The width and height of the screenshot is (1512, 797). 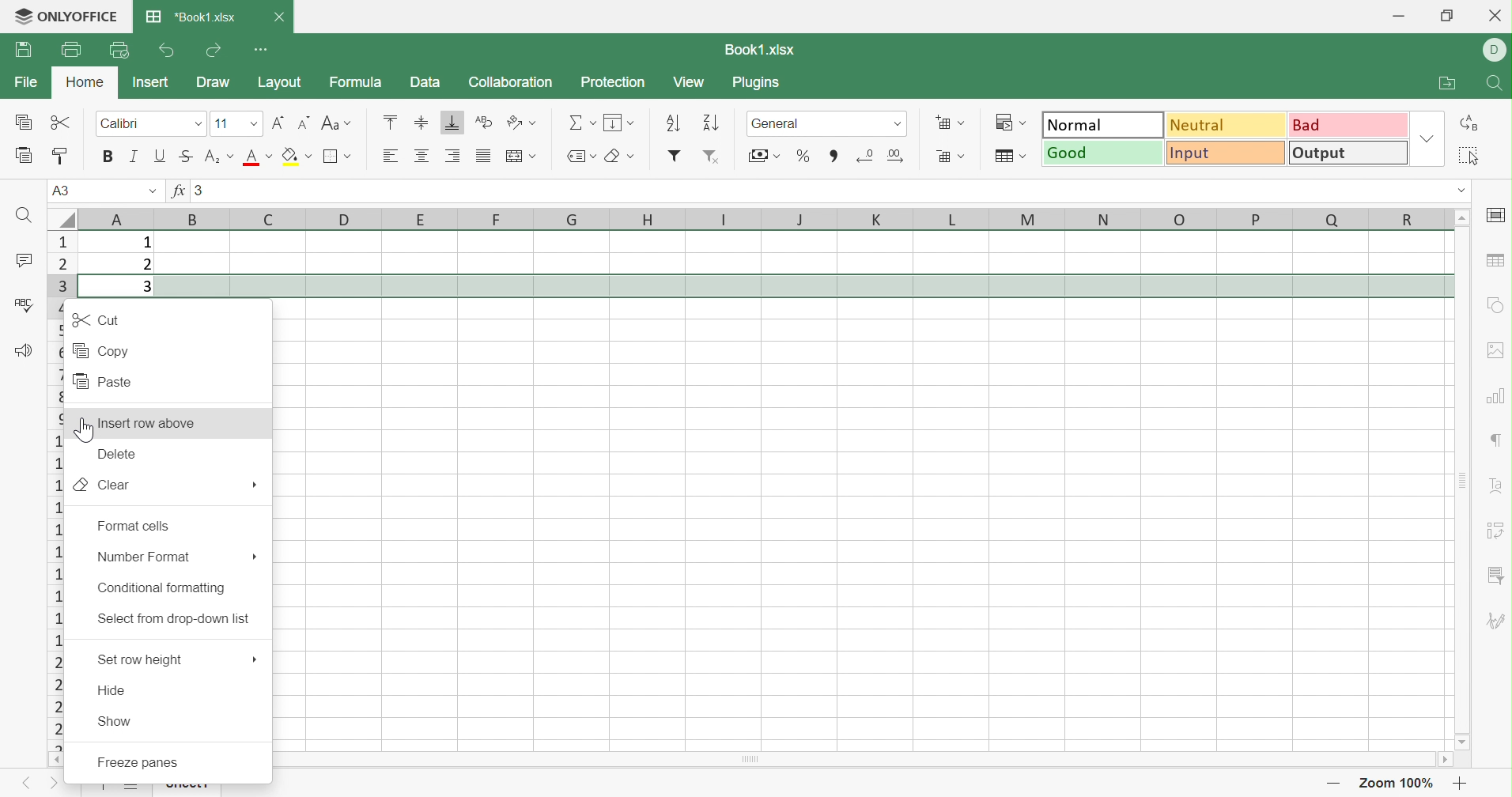 What do you see at coordinates (64, 190) in the screenshot?
I see `A3` at bounding box center [64, 190].